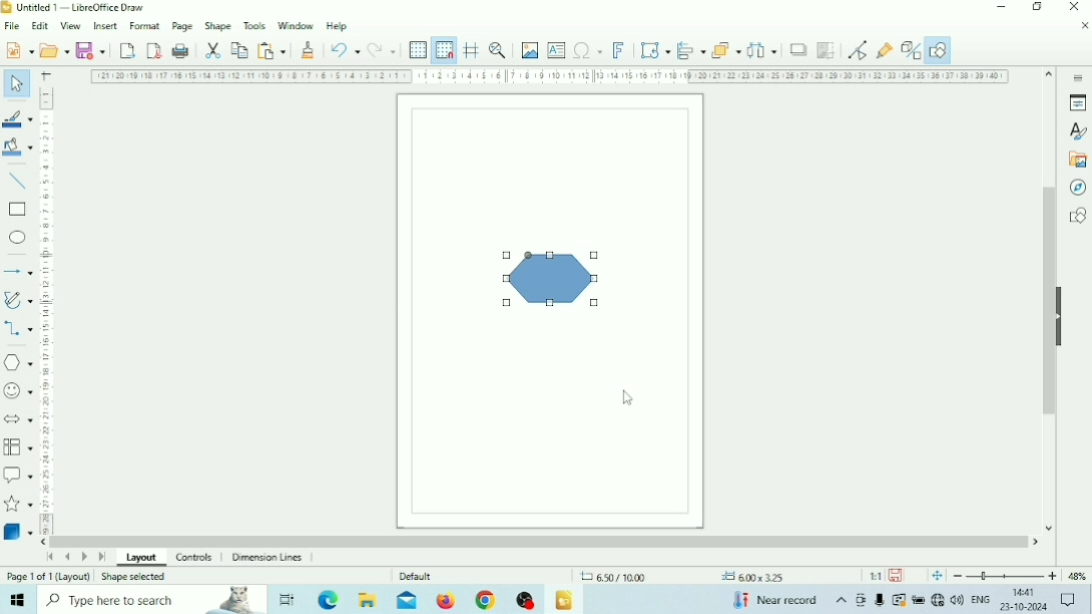 Image resolution: width=1092 pixels, height=614 pixels. What do you see at coordinates (1076, 160) in the screenshot?
I see `Gallery` at bounding box center [1076, 160].